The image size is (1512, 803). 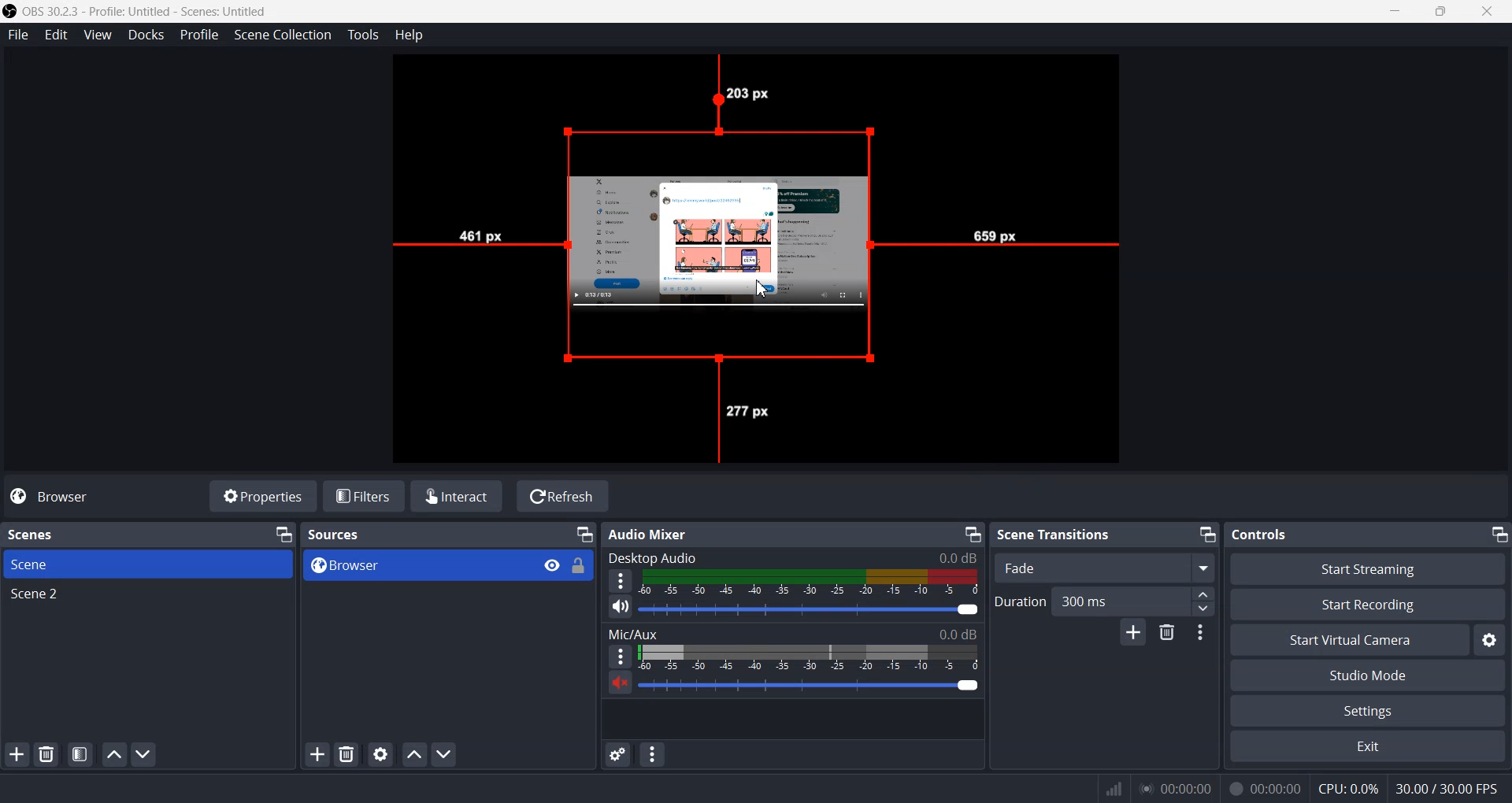 I want to click on Sound level indicator, so click(x=810, y=657).